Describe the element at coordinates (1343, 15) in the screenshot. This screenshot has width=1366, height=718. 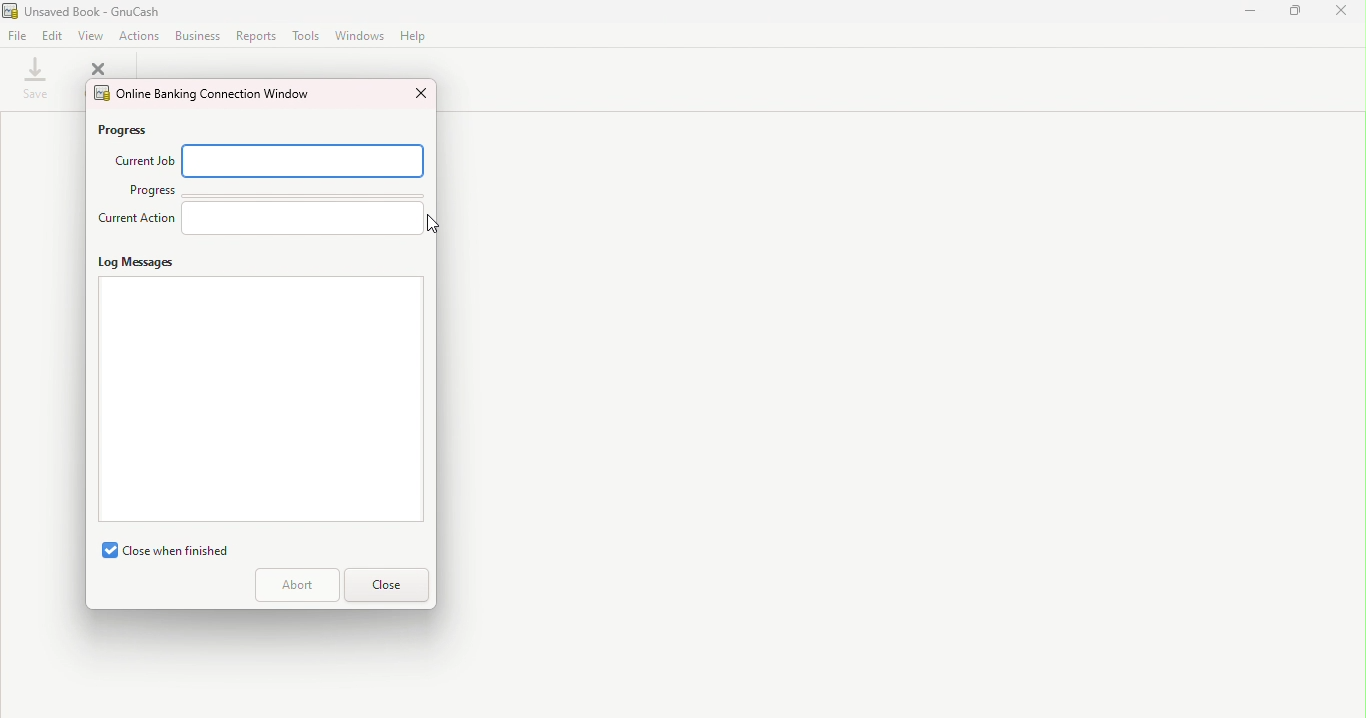
I see `Close` at that location.